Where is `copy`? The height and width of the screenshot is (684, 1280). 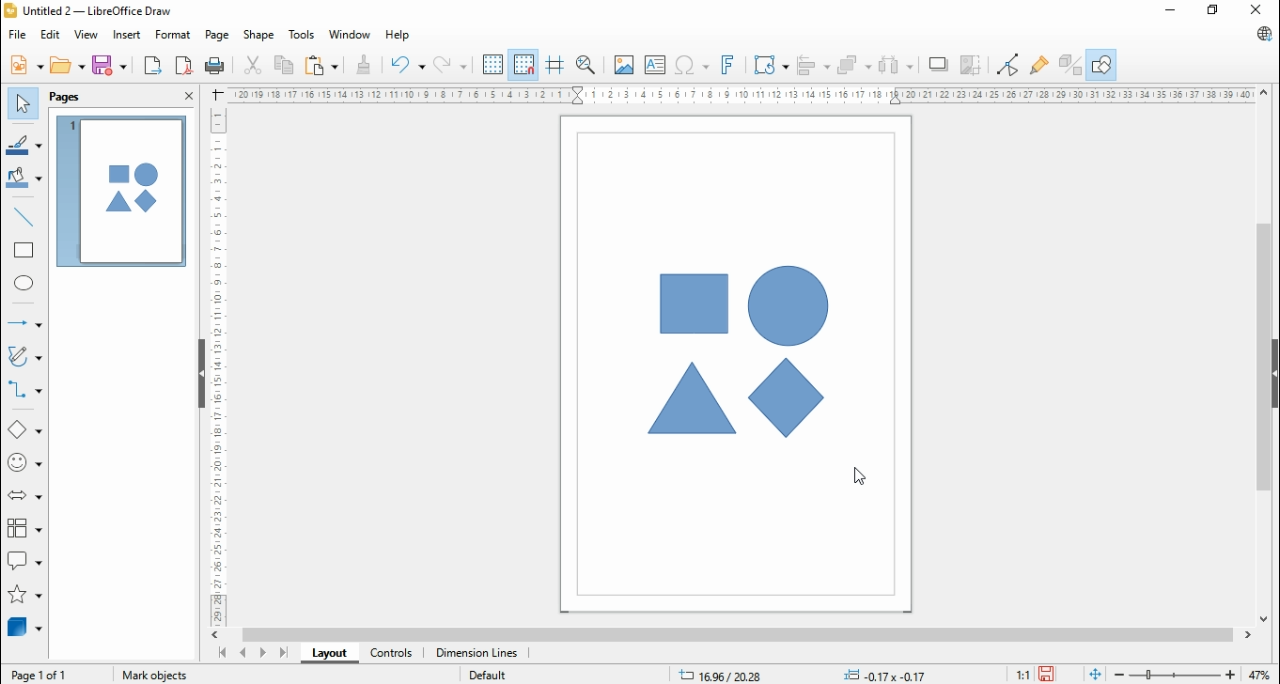 copy is located at coordinates (285, 63).